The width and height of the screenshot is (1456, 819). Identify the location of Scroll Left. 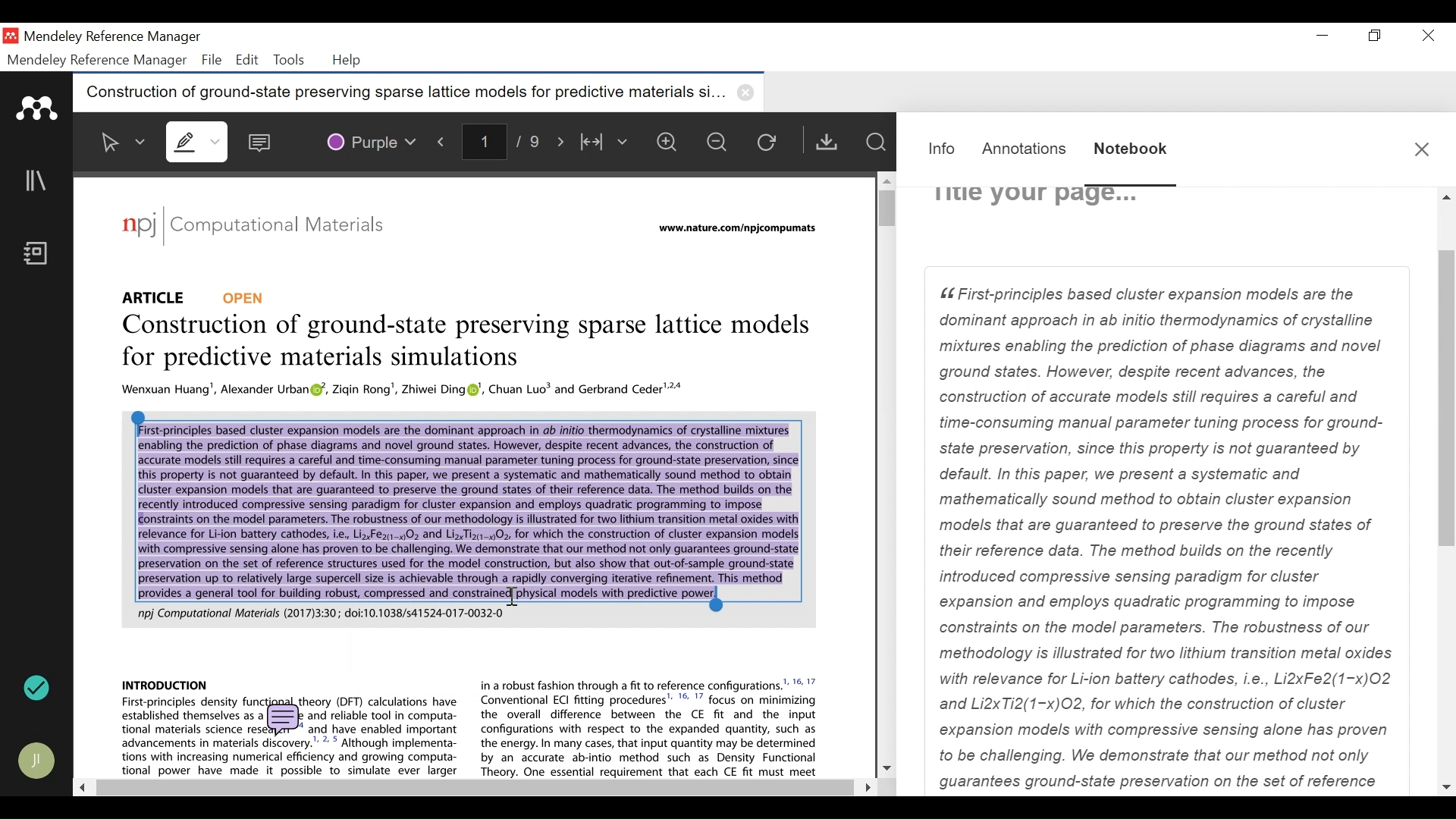
(80, 786).